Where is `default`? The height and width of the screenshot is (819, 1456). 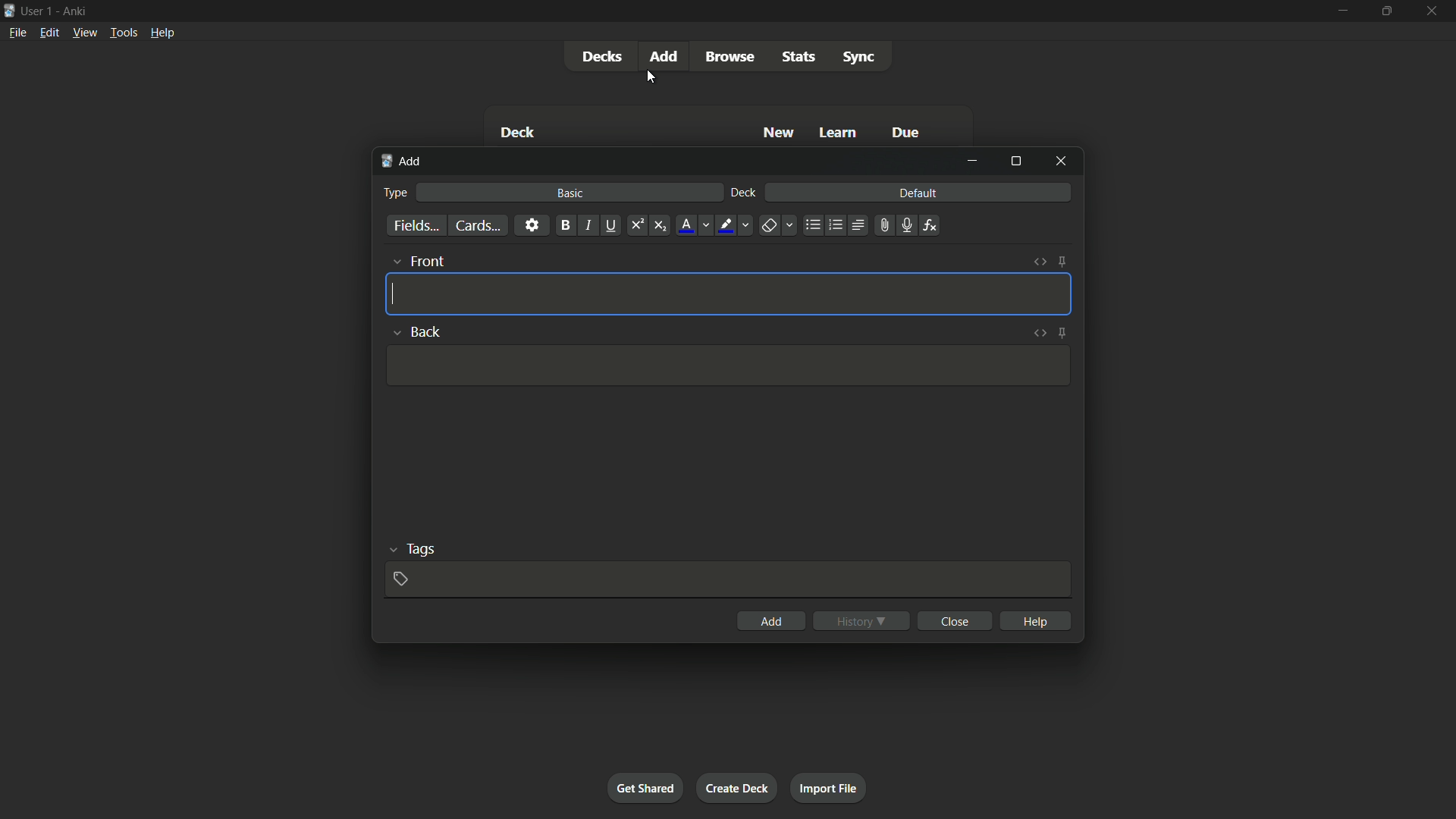
default is located at coordinates (918, 192).